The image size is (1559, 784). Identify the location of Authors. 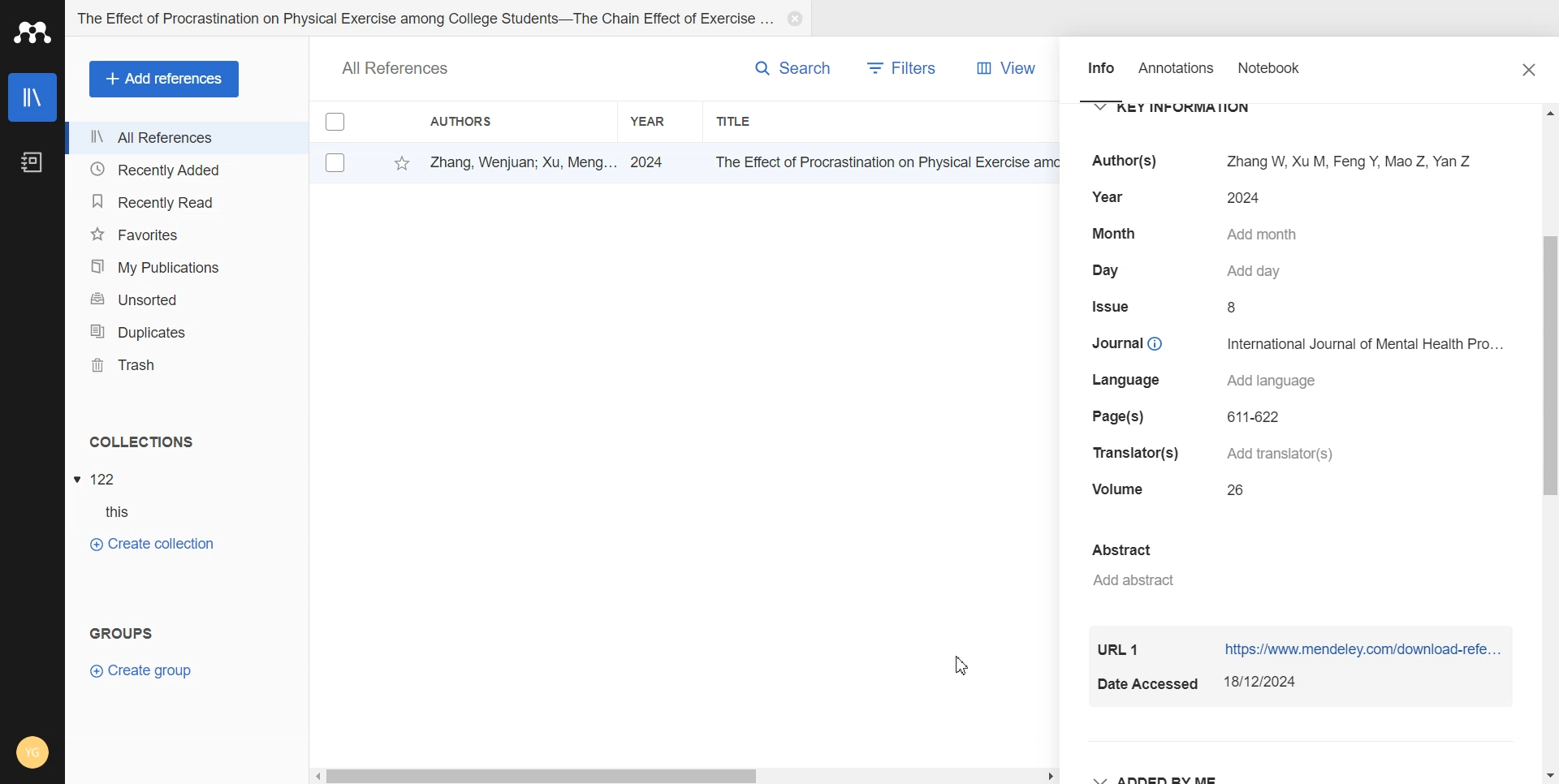
(491, 122).